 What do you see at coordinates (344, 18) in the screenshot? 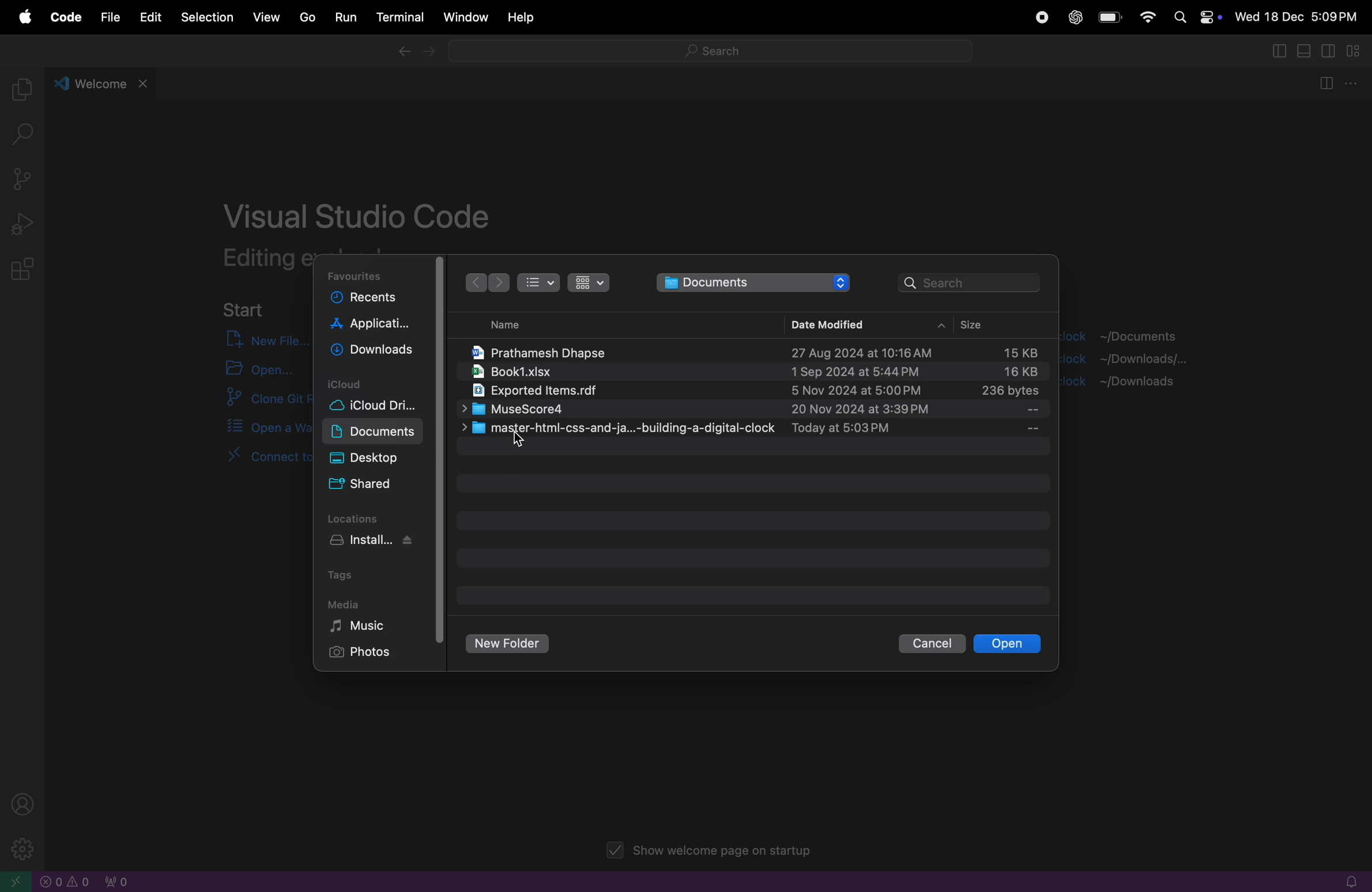
I see `Run` at bounding box center [344, 18].